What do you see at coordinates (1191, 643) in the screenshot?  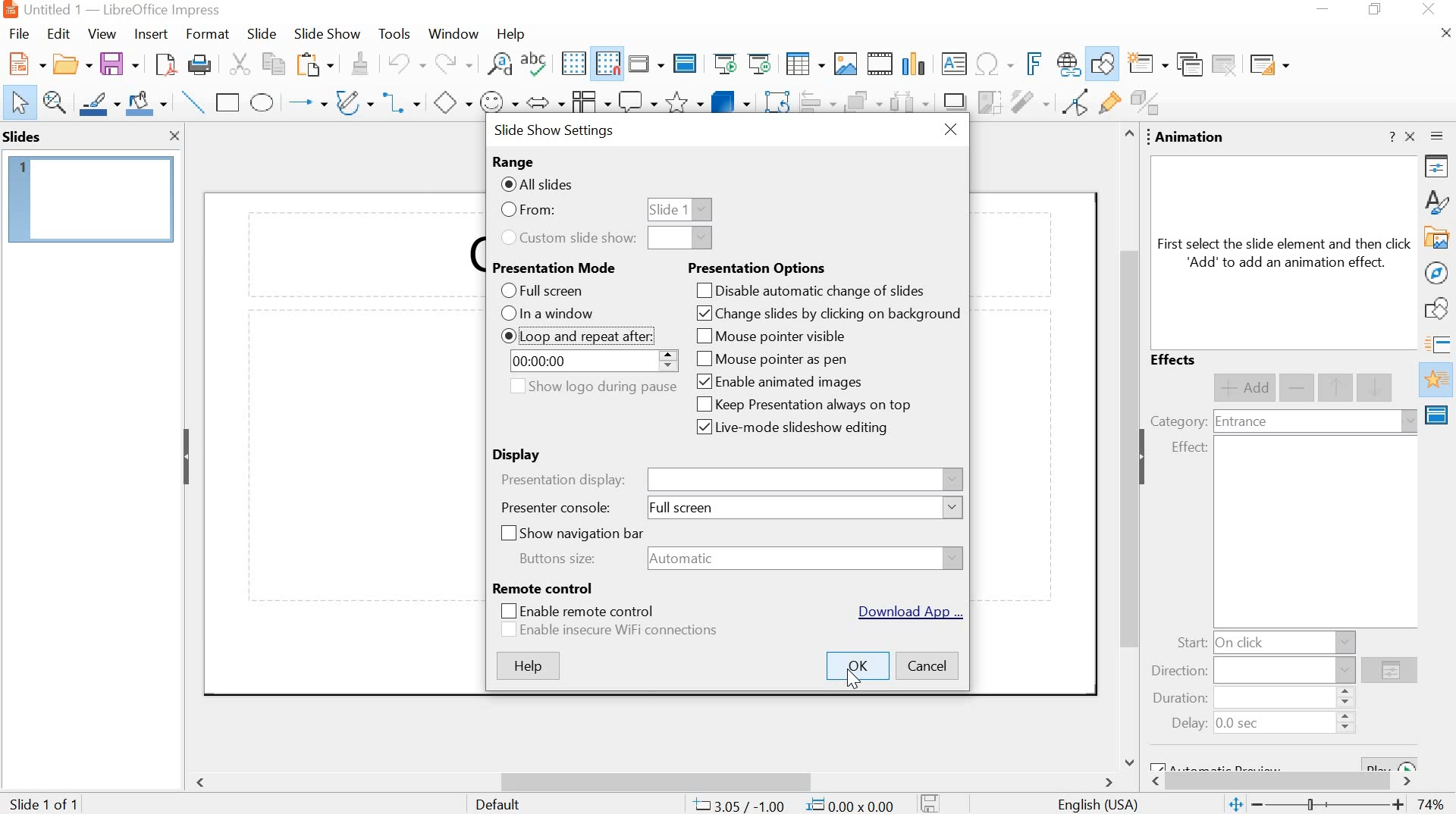 I see `start` at bounding box center [1191, 643].